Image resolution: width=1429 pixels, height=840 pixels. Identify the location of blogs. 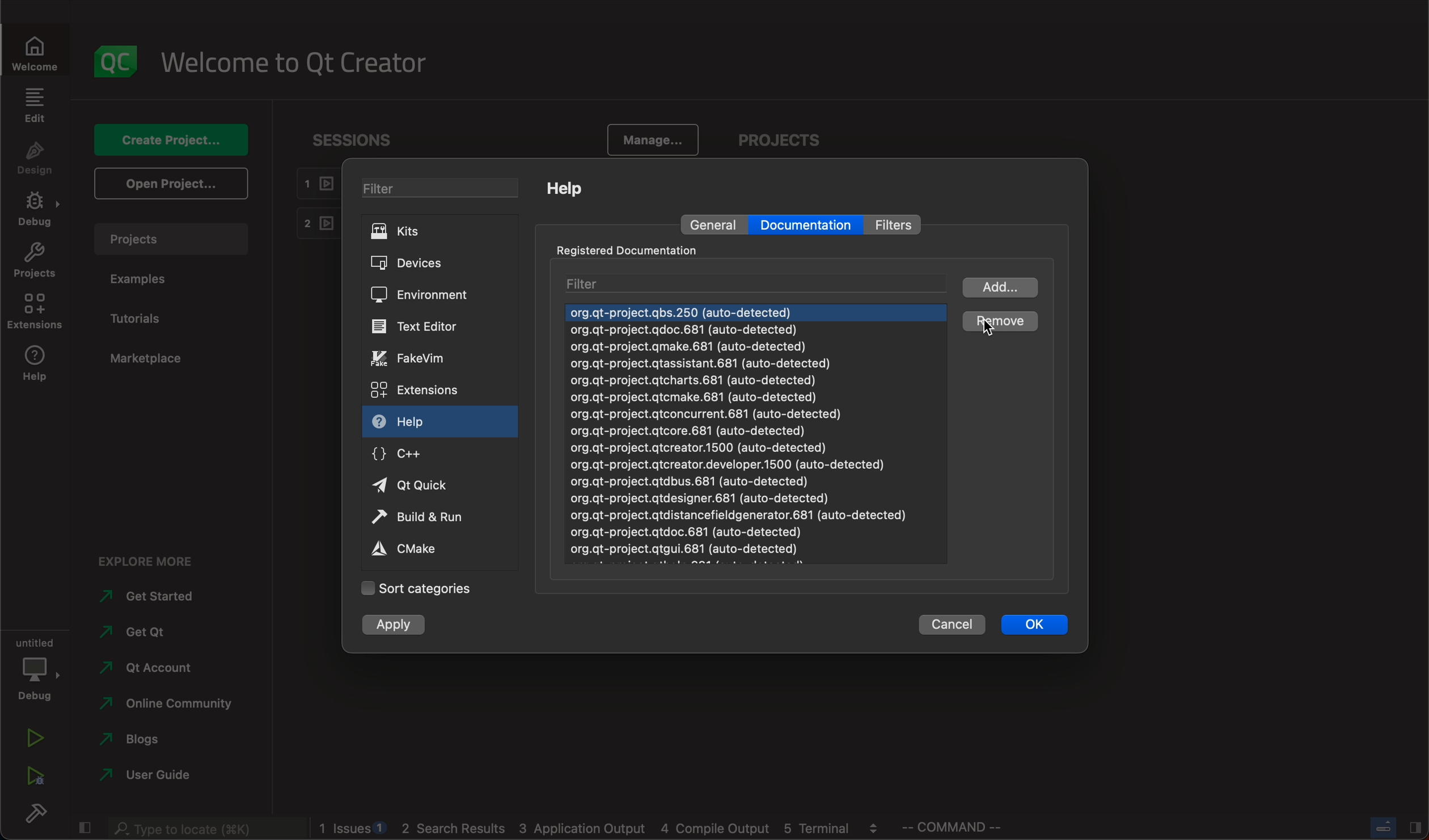
(147, 742).